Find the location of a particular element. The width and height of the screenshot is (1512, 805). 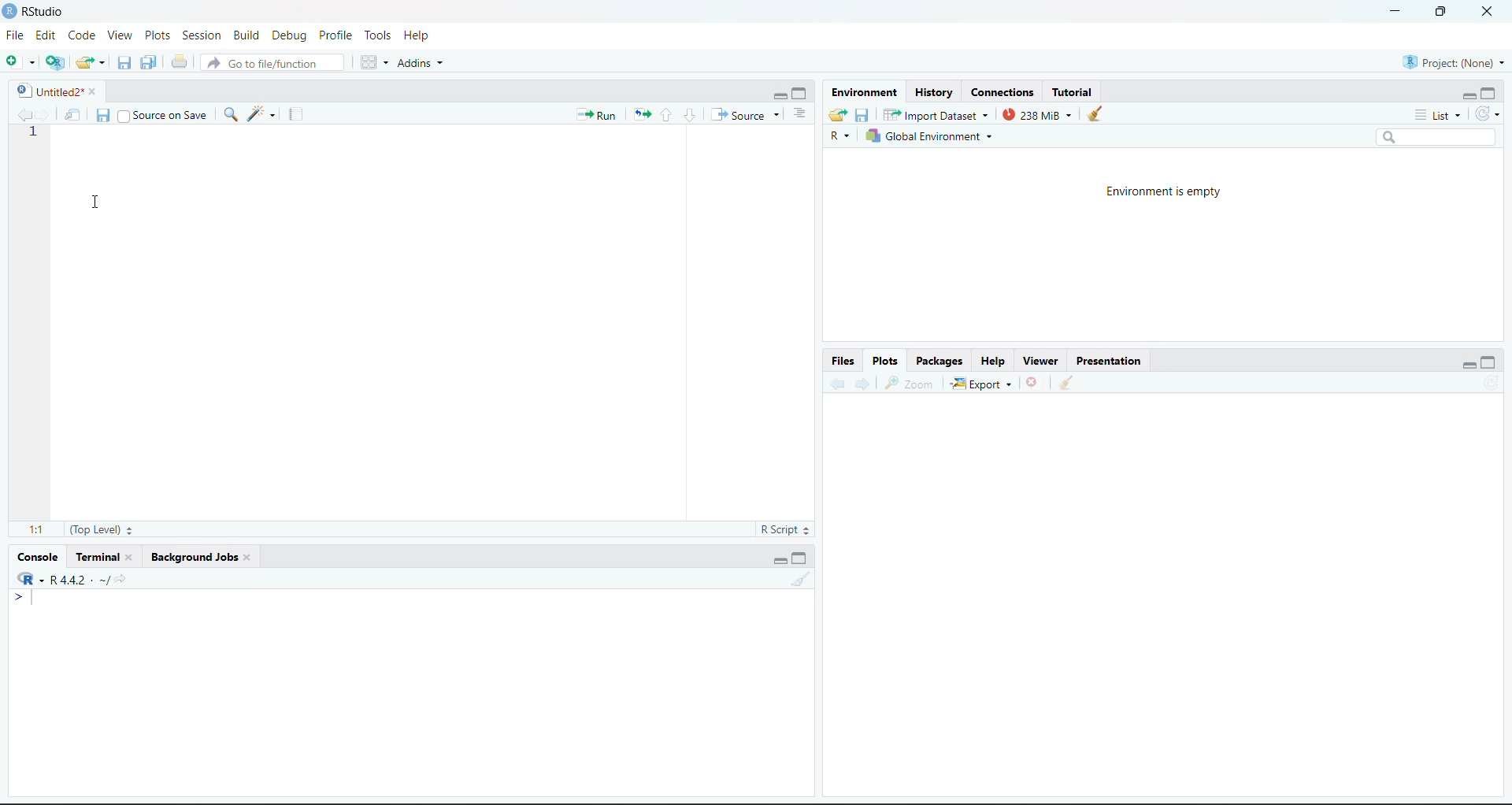

refresh is located at coordinates (1493, 382).